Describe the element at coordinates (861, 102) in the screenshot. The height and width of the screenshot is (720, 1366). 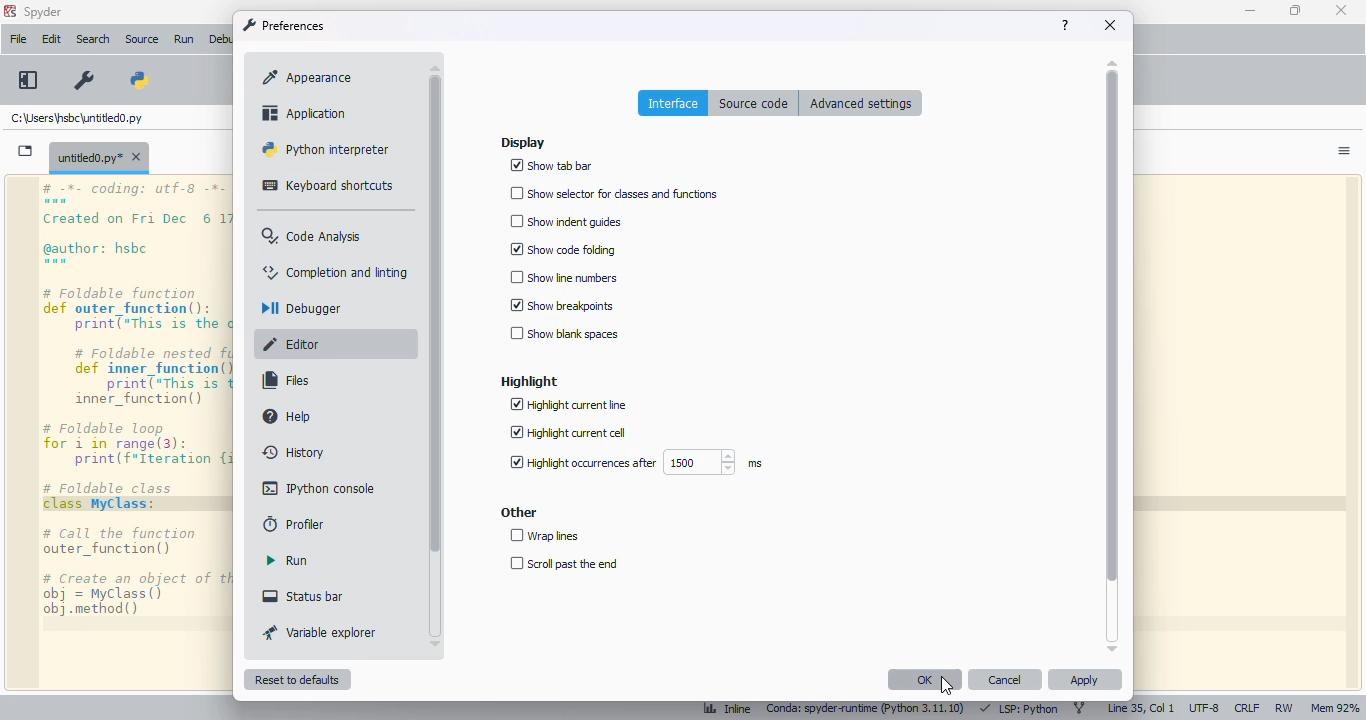
I see `advanced settings` at that location.